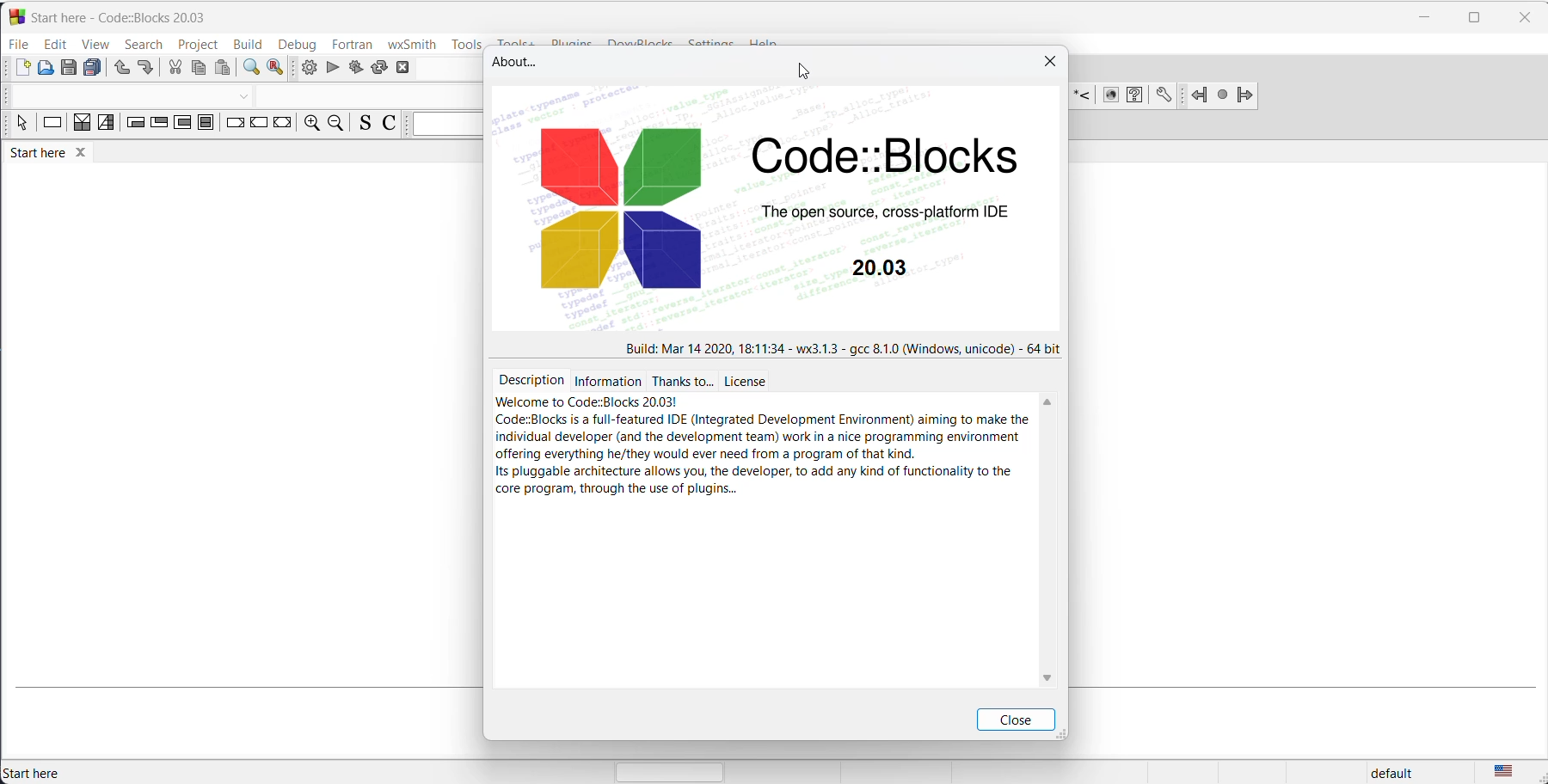  I want to click on dropdown button, so click(242, 95).